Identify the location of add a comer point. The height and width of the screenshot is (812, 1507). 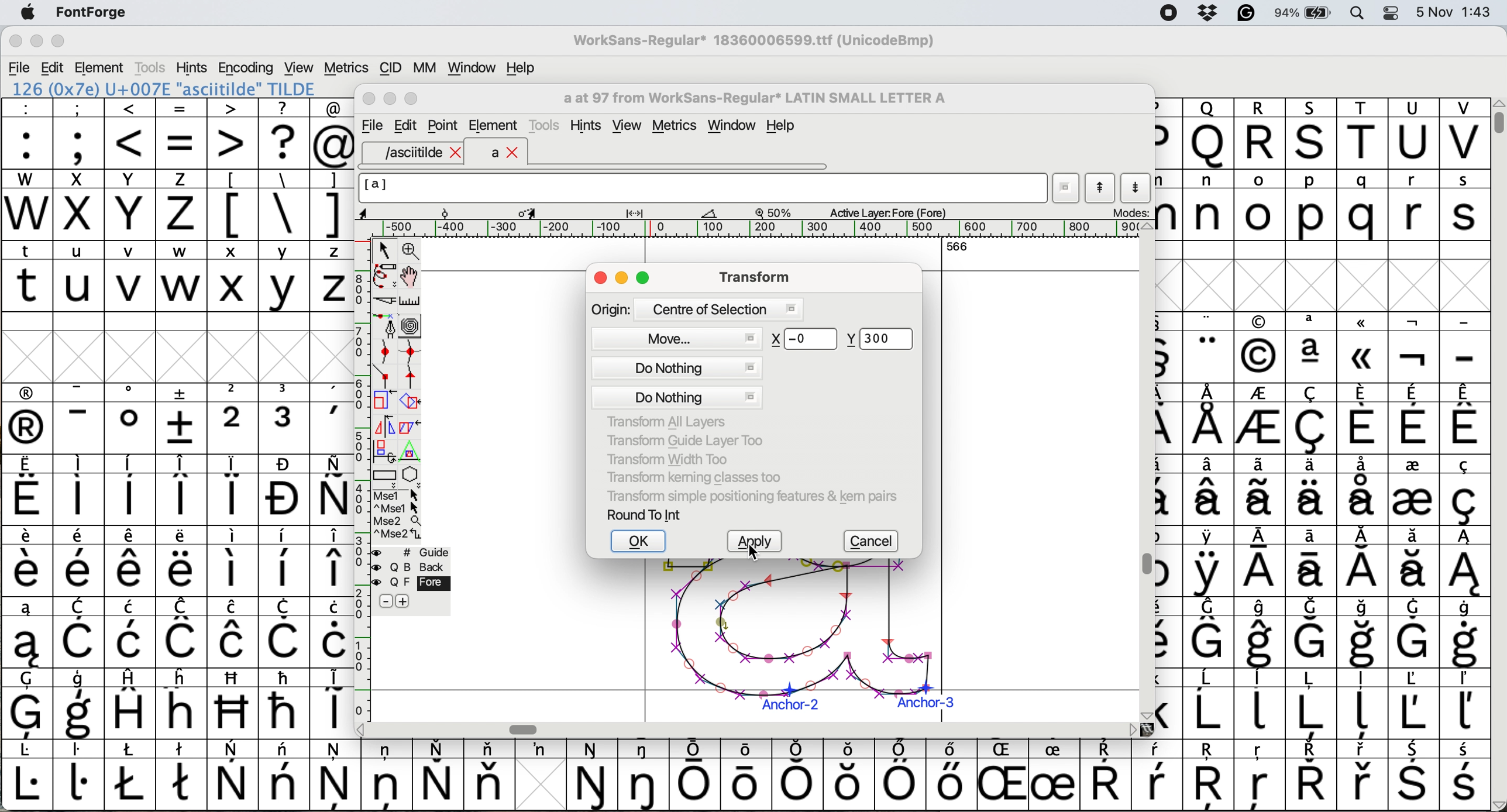
(386, 376).